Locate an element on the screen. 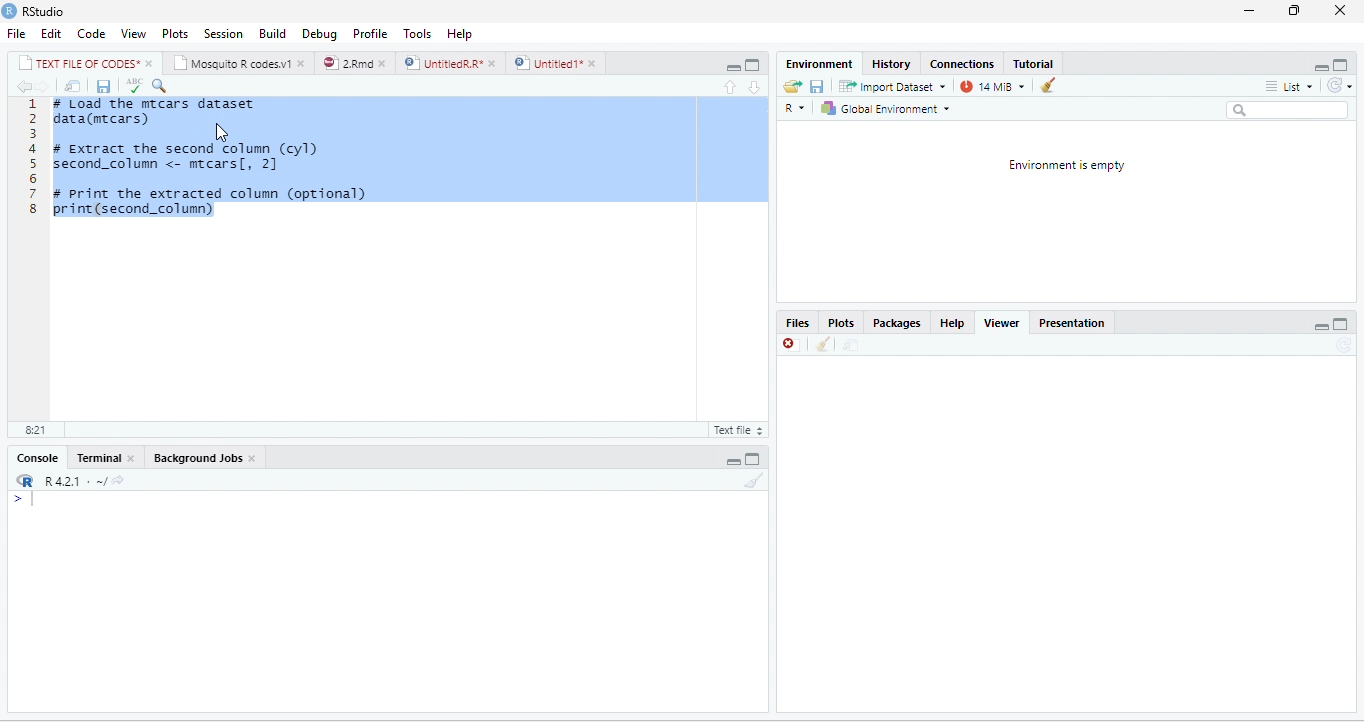 The width and height of the screenshot is (1364, 722). move is located at coordinates (73, 86).